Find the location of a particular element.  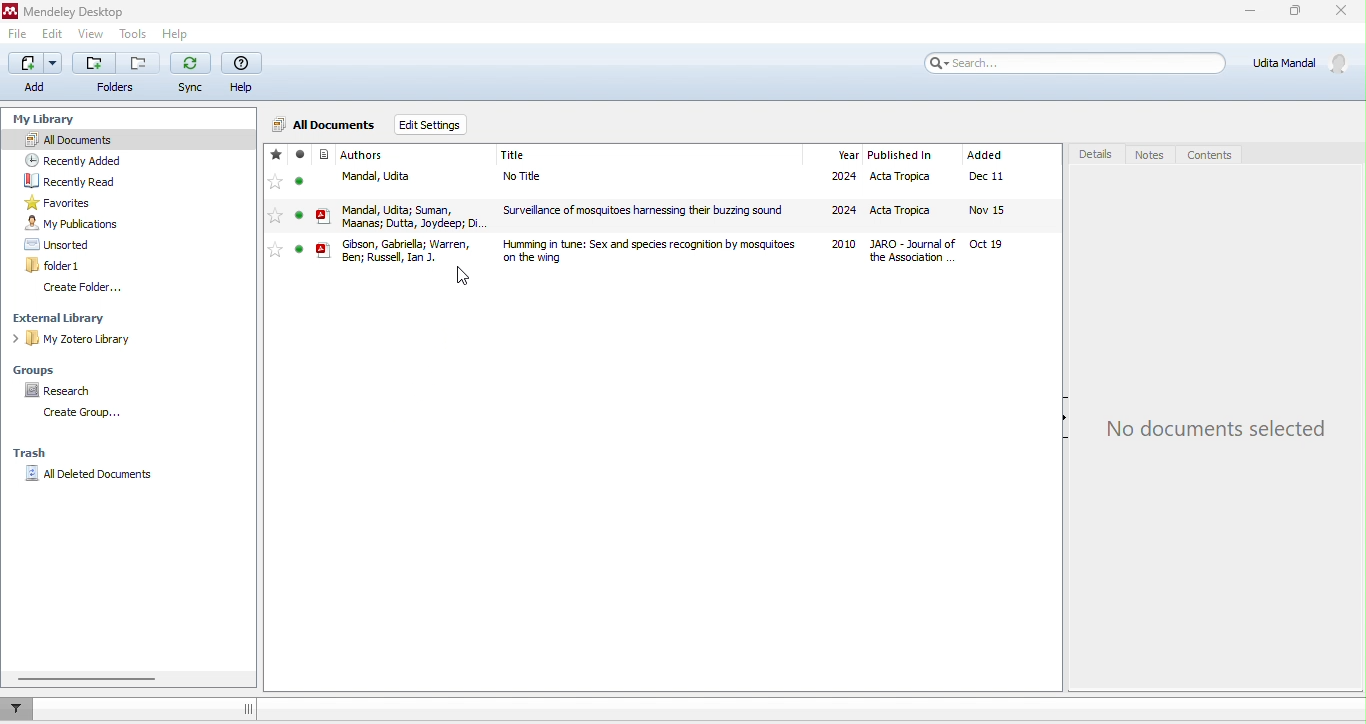

sync is located at coordinates (192, 75).